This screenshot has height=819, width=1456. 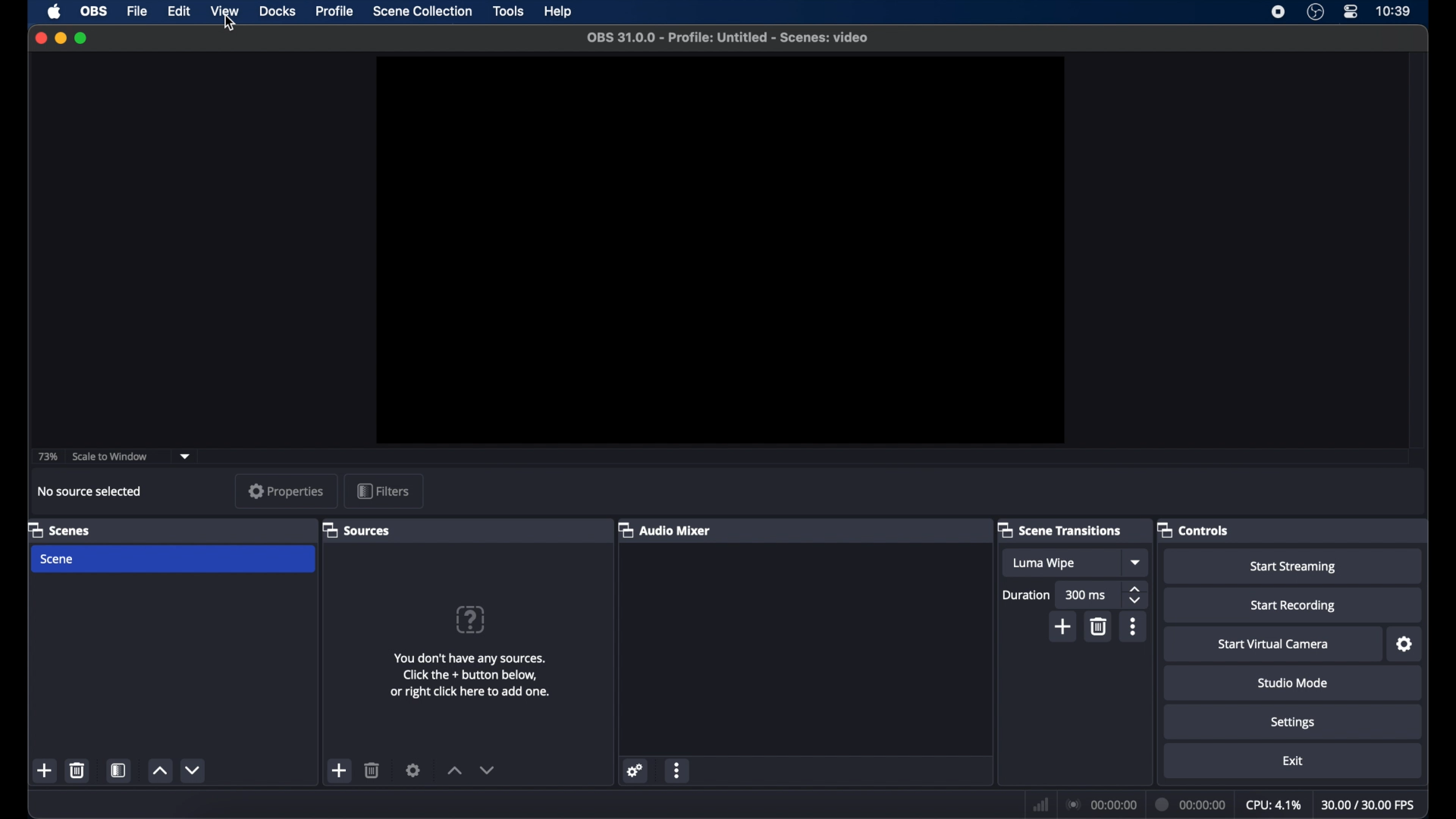 I want to click on cpu: 4.1%, so click(x=1272, y=805).